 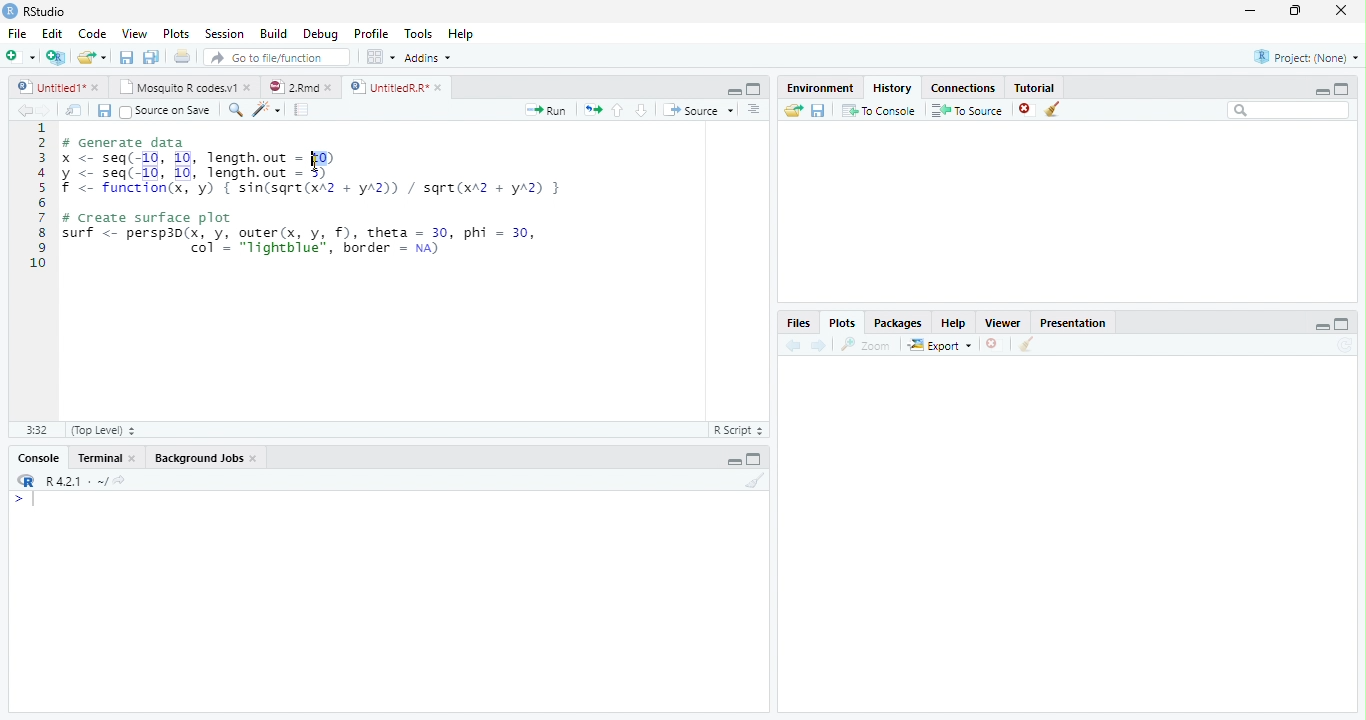 What do you see at coordinates (317, 204) in the screenshot?
I see `# Generate data

x <- seq(-10, 10, length.out = 10)

y <- seq(-10, 10, length.out - 5)

f <- function(x, 'y) { sin(sqre(xA2 + yA2)) / sqre(xr2 + yA2) }
# Create surface plot

surf <- persp3d(x, y, outer(x, y, f), theta = 30, phi = 30,

| col’ = "lightblue", border = na)` at bounding box center [317, 204].